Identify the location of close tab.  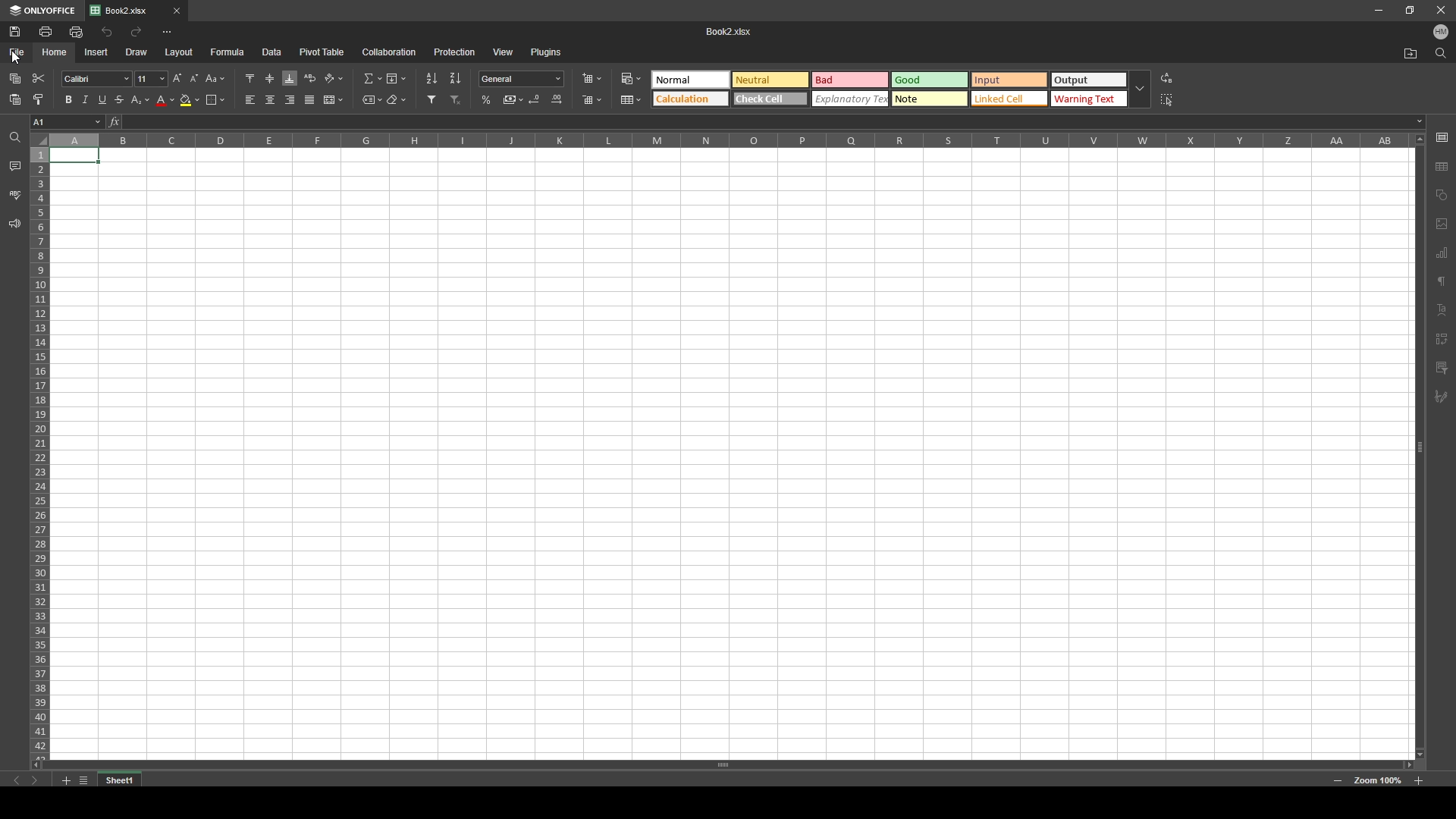
(176, 11).